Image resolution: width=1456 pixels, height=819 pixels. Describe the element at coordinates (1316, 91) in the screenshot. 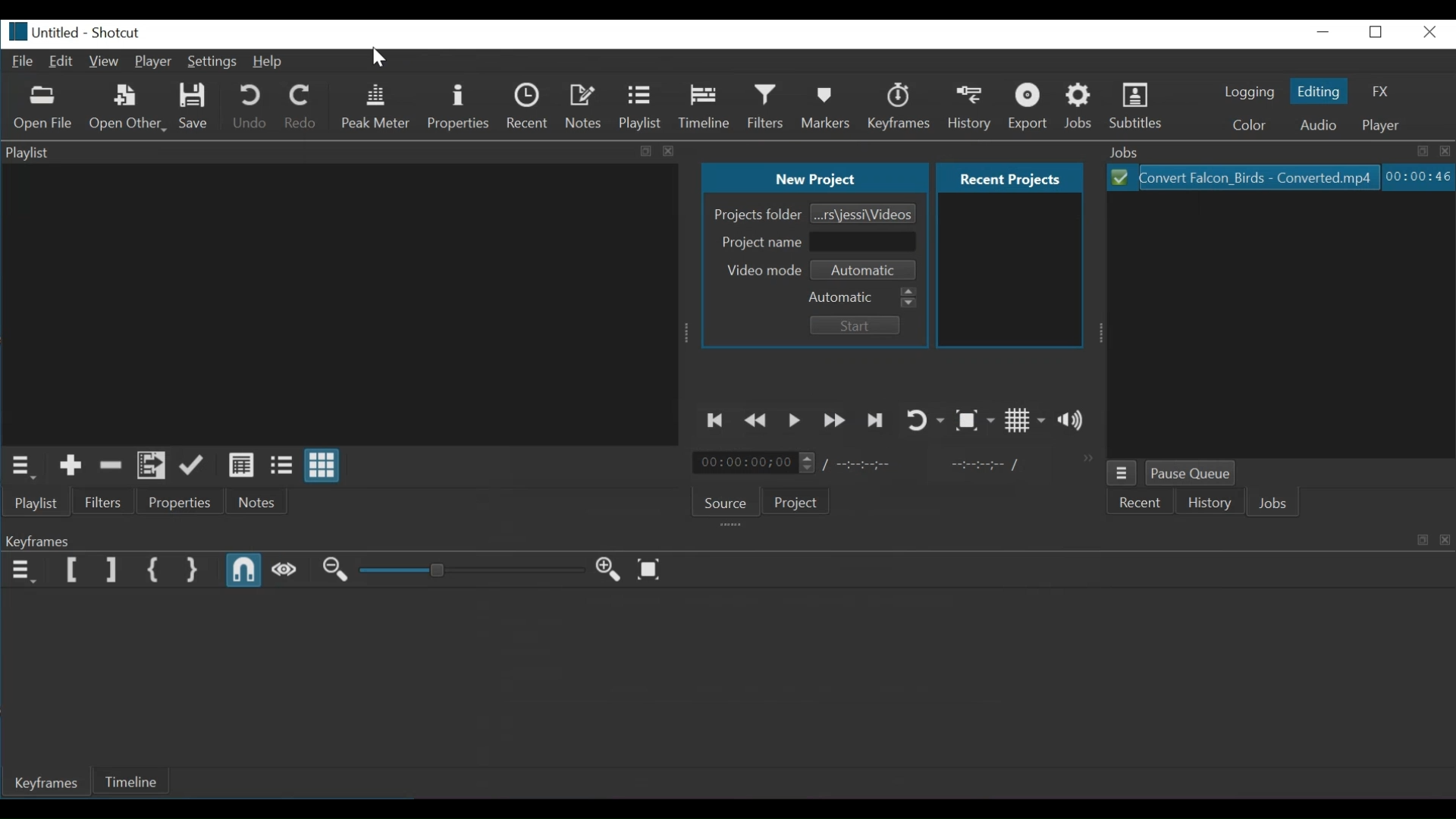

I see `Editing` at that location.